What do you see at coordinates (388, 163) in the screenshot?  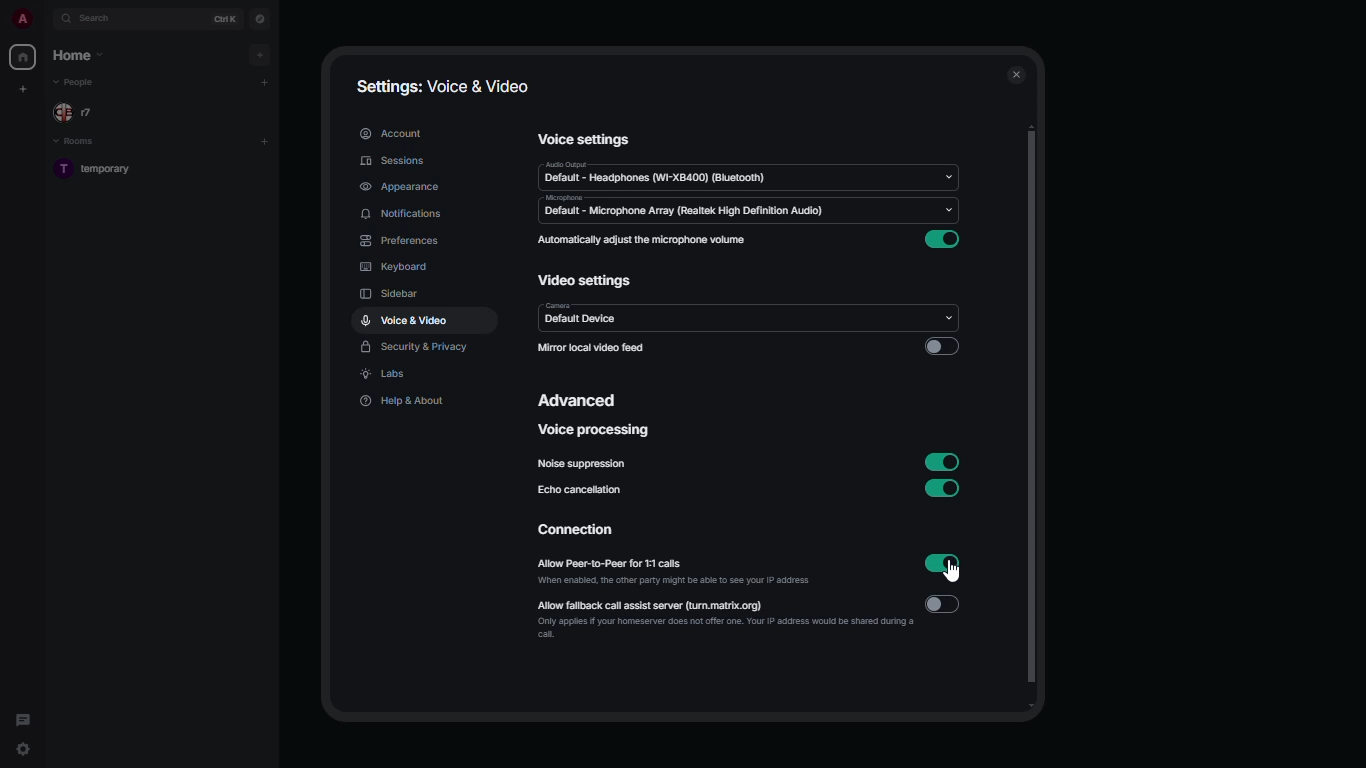 I see `sessions` at bounding box center [388, 163].